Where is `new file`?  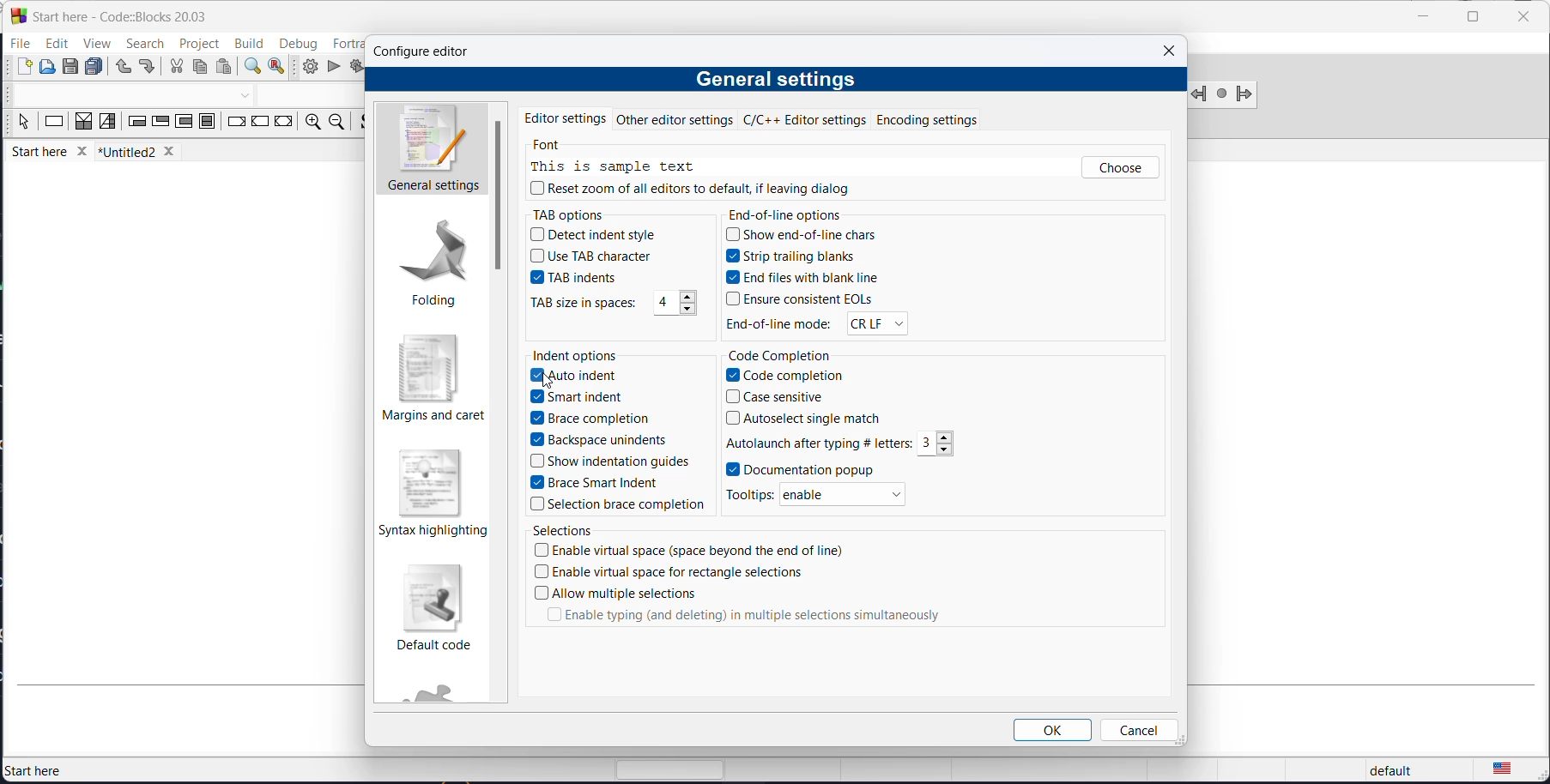 new file is located at coordinates (25, 70).